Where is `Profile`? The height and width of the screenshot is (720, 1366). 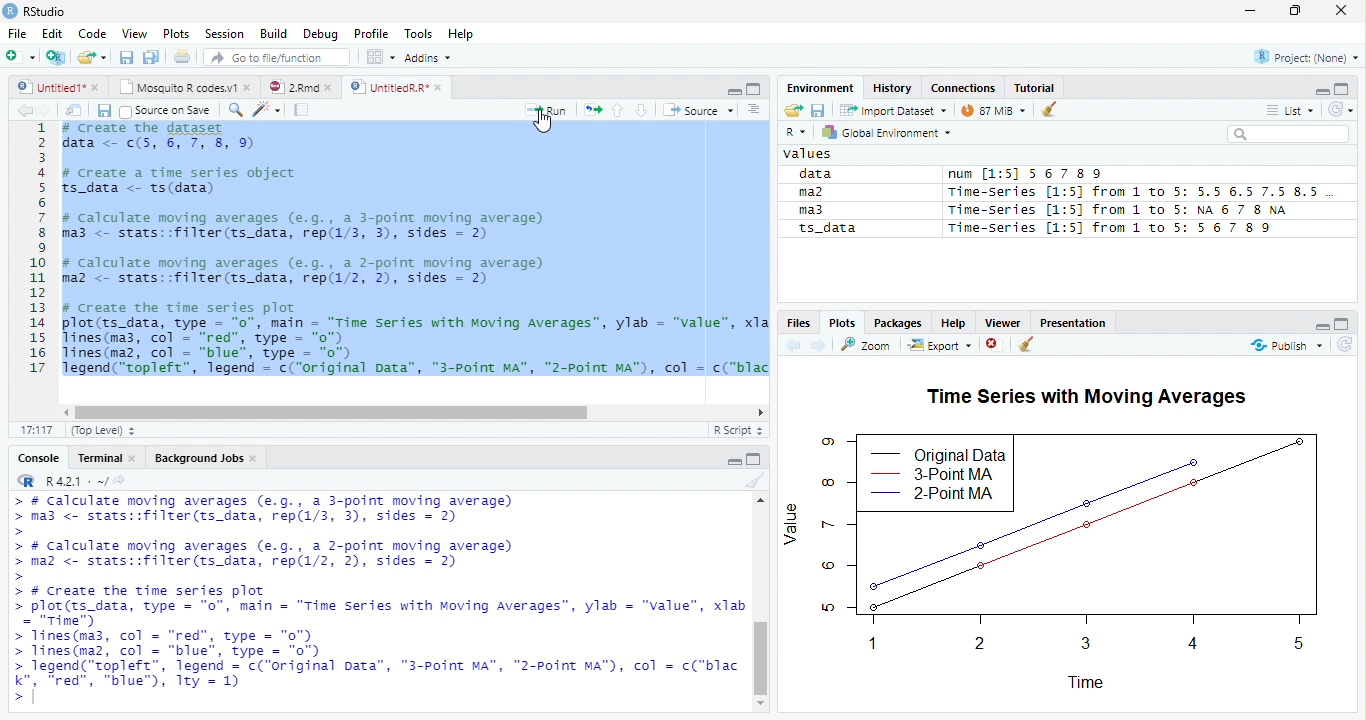 Profile is located at coordinates (371, 34).